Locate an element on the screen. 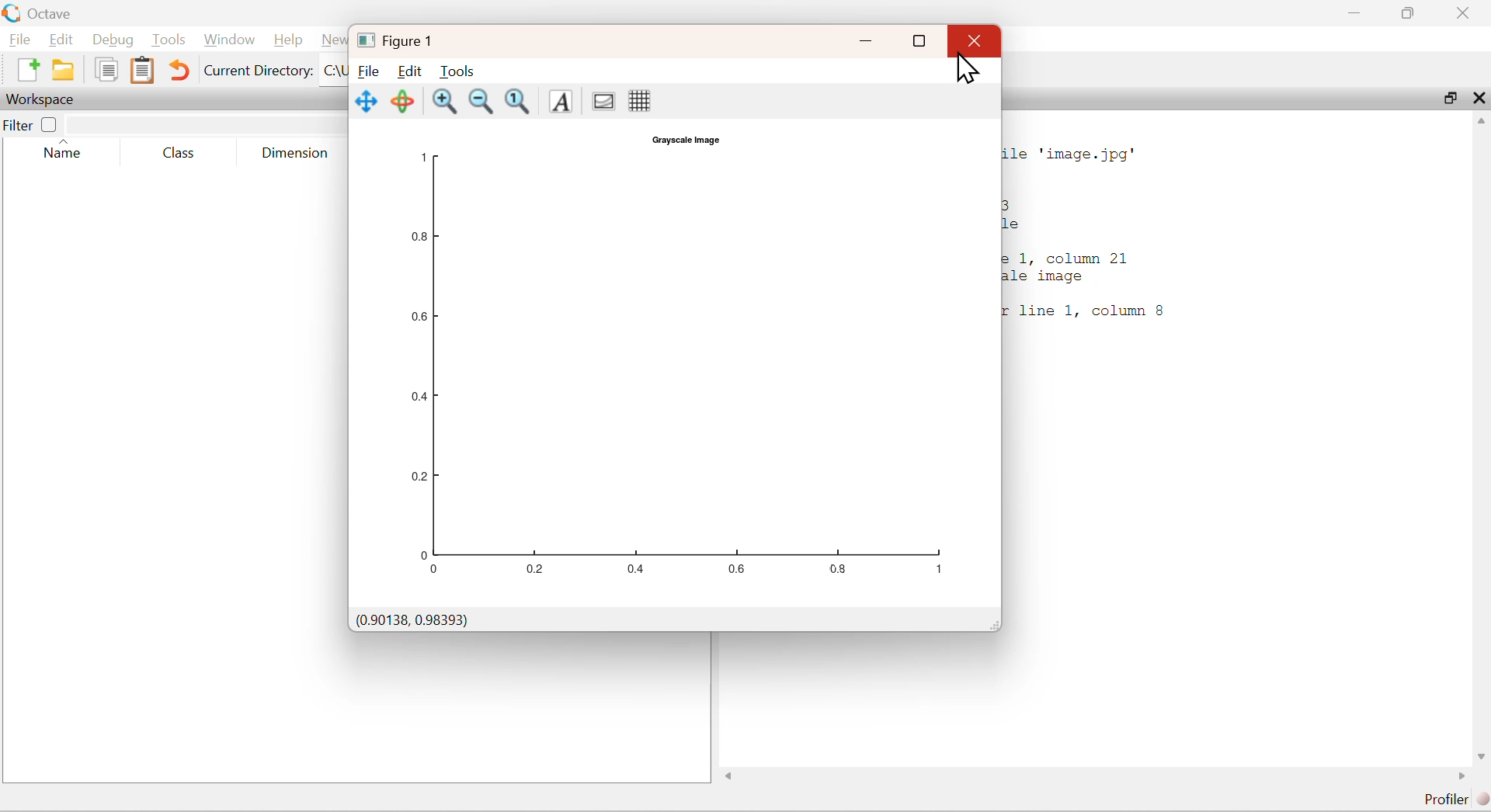 The width and height of the screenshot is (1491, 812). Maximize is located at coordinates (1414, 12).